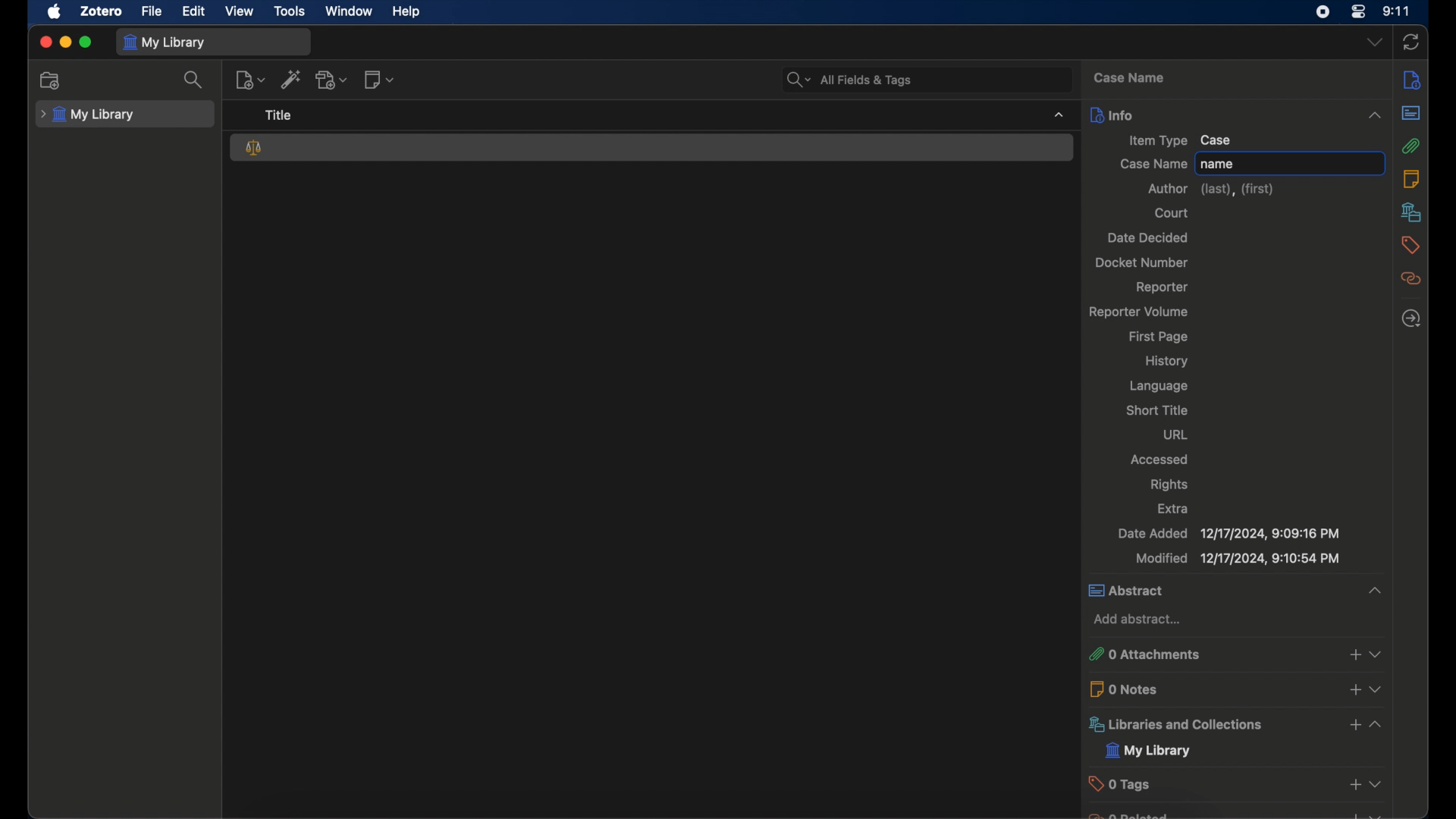  I want to click on language, so click(1161, 387).